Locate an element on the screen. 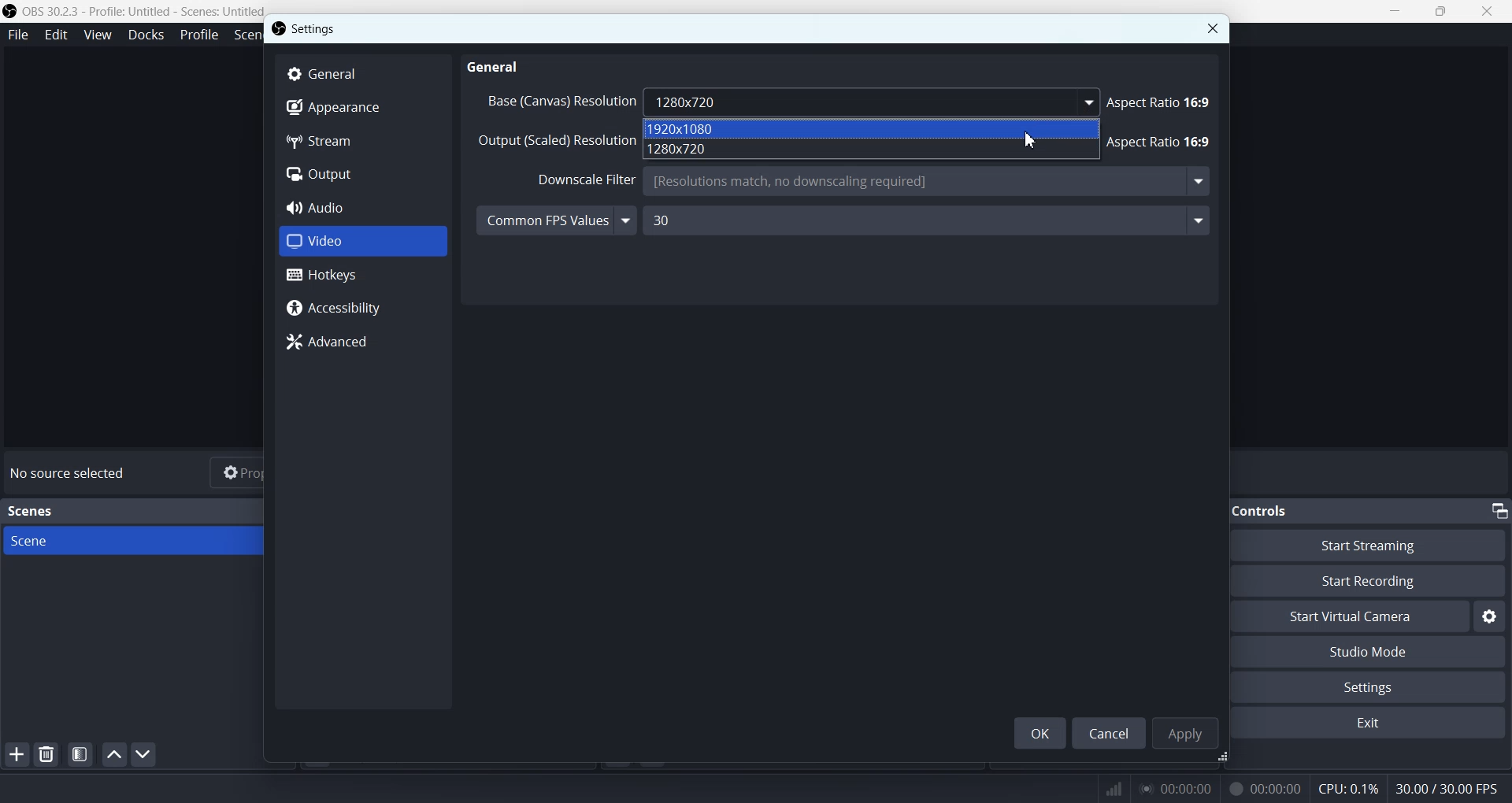  General is located at coordinates (495, 67).